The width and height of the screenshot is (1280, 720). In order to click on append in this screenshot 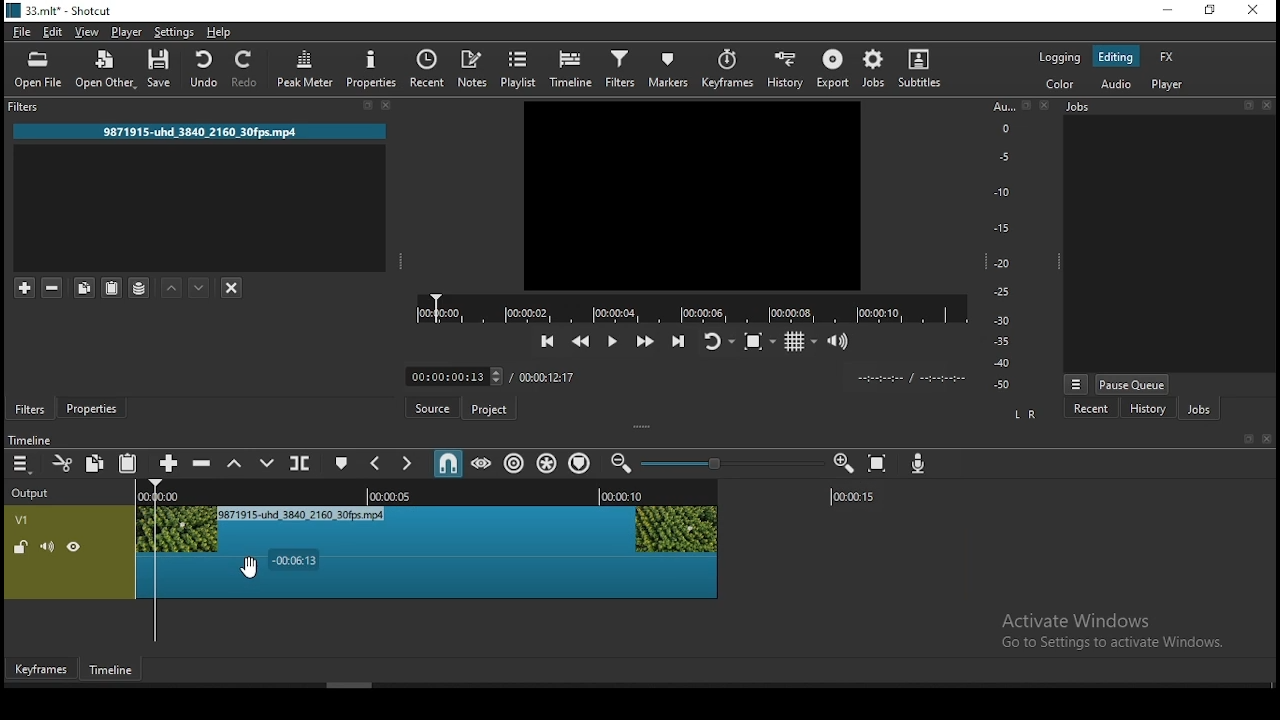, I will do `click(171, 463)`.